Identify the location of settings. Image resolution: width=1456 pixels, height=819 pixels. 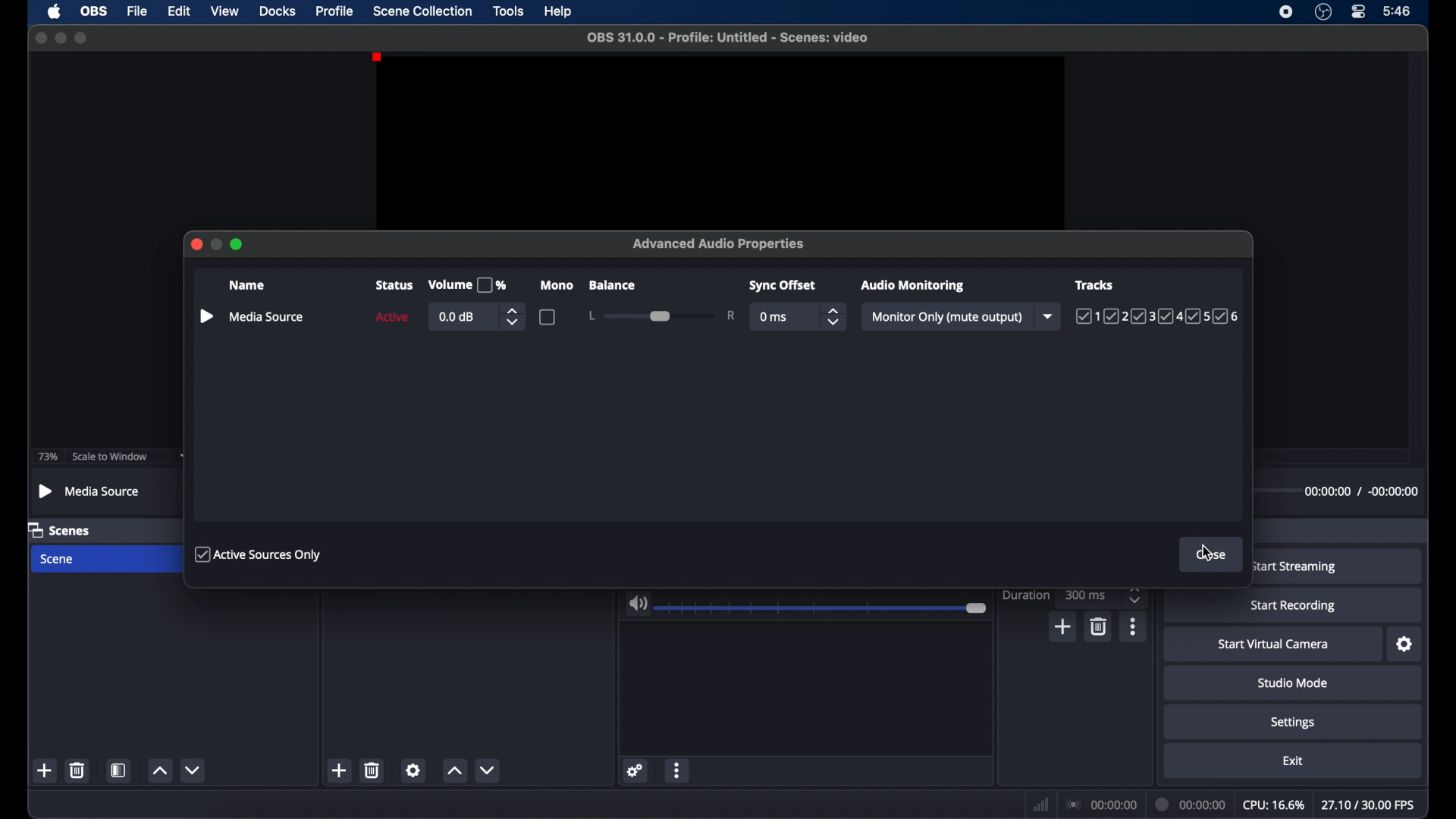
(414, 770).